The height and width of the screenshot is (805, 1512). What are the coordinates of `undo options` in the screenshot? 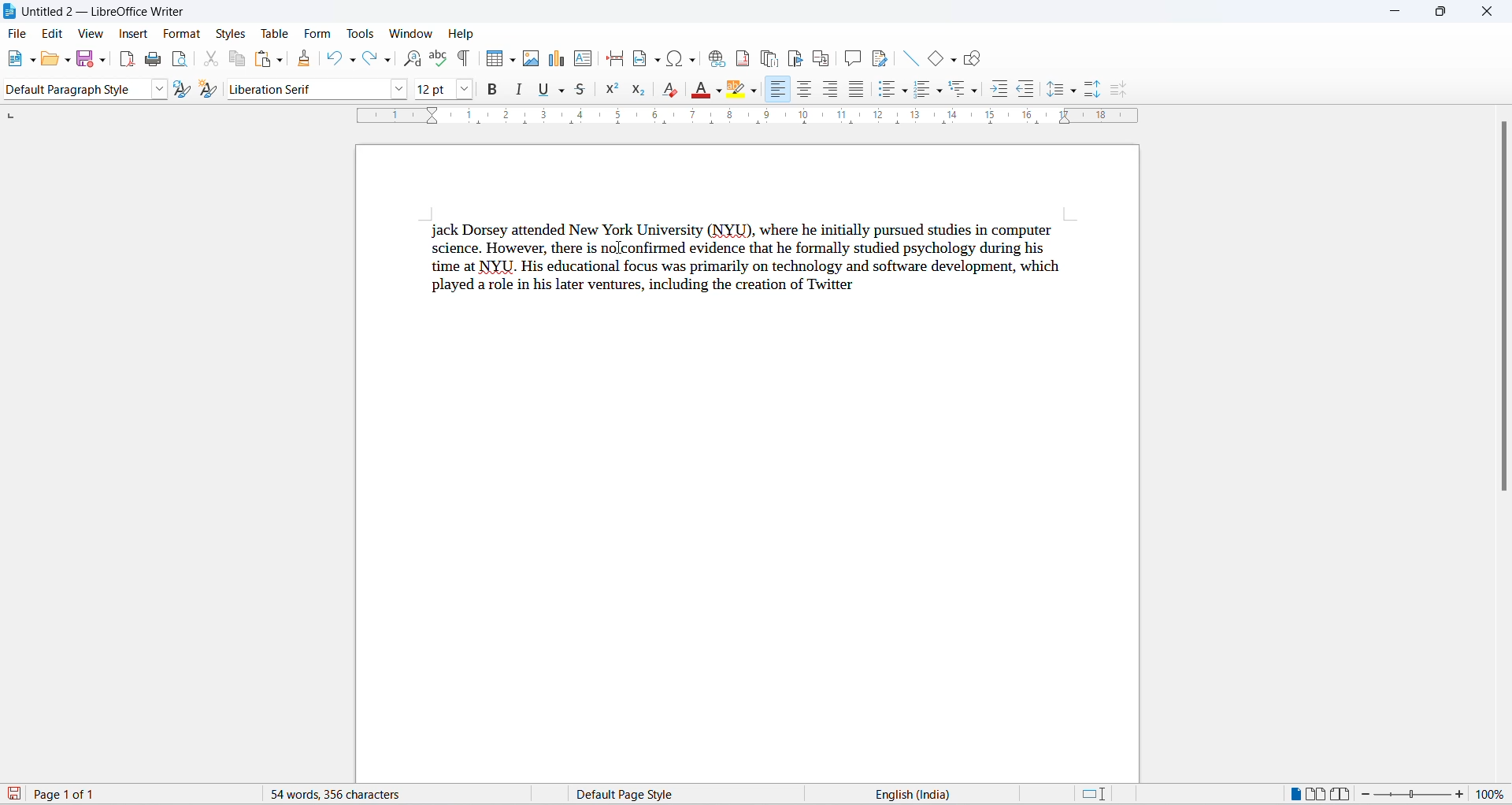 It's located at (354, 60).